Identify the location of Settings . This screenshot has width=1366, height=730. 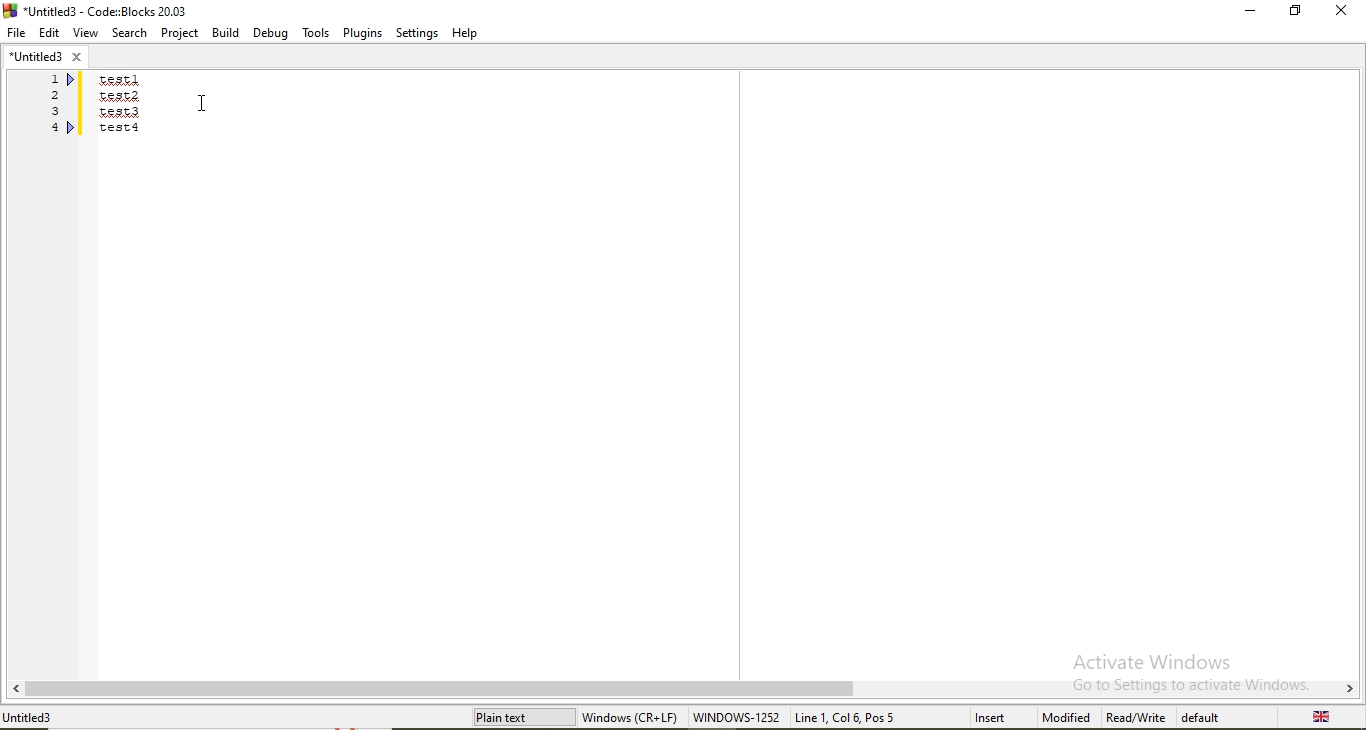
(414, 34).